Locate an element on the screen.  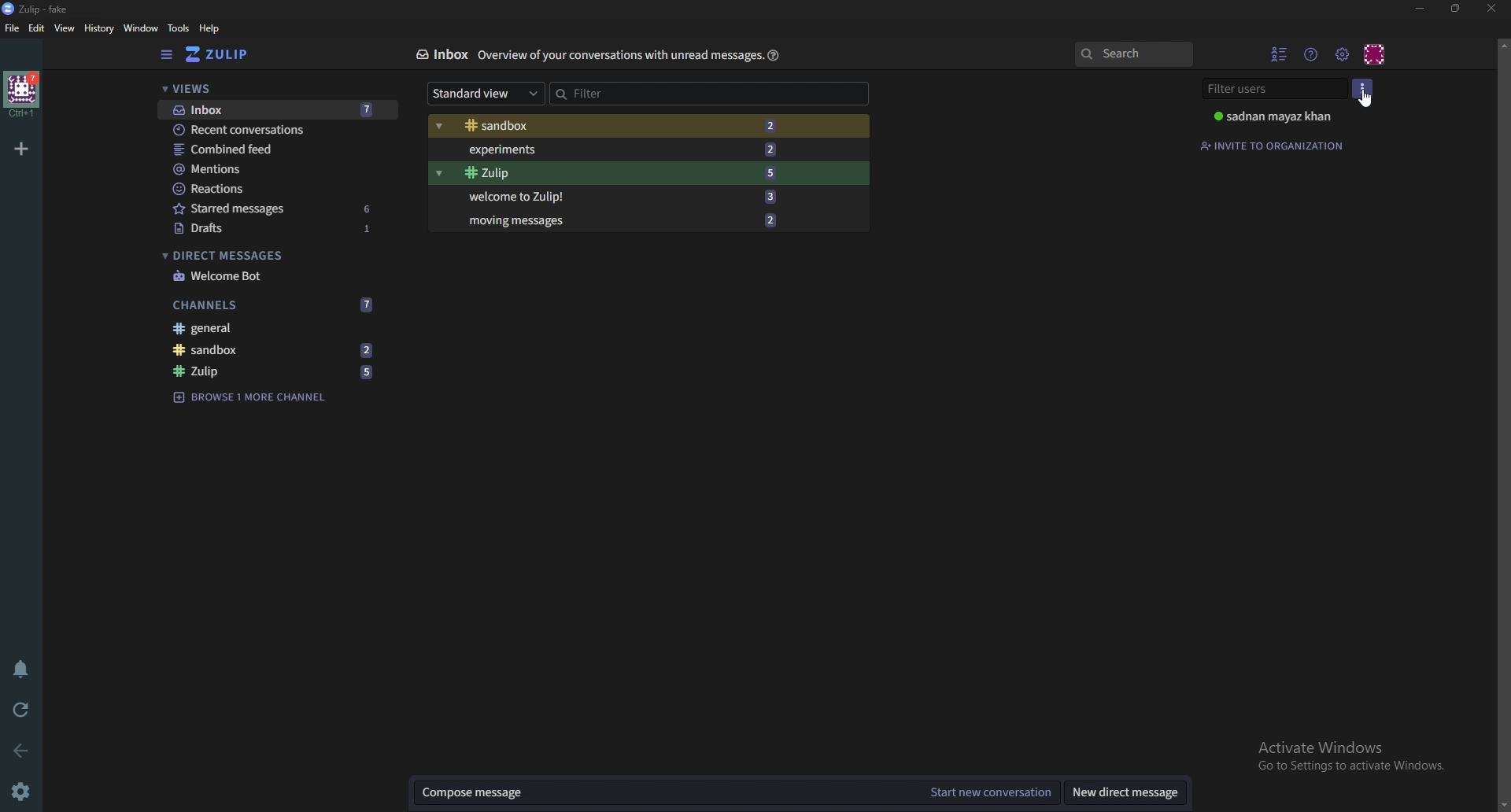
Welcome bot is located at coordinates (272, 276).